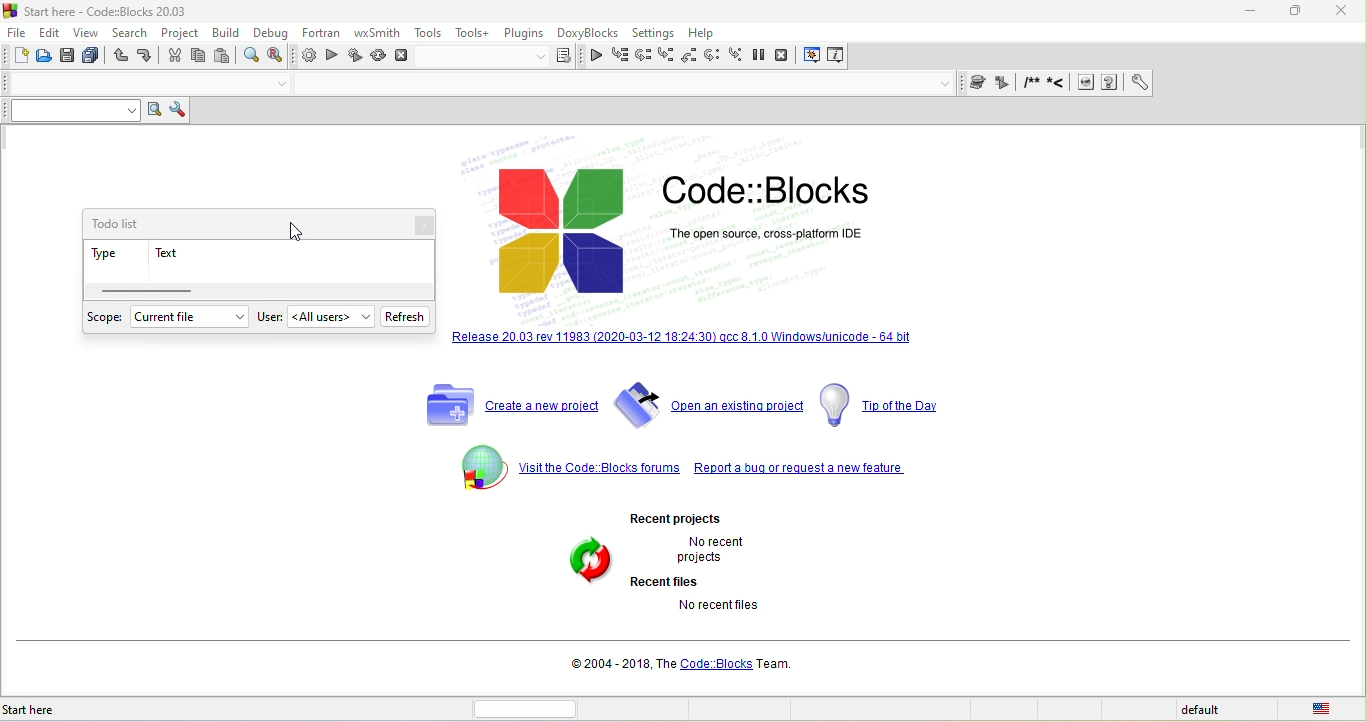  What do you see at coordinates (129, 224) in the screenshot?
I see `todo list` at bounding box center [129, 224].